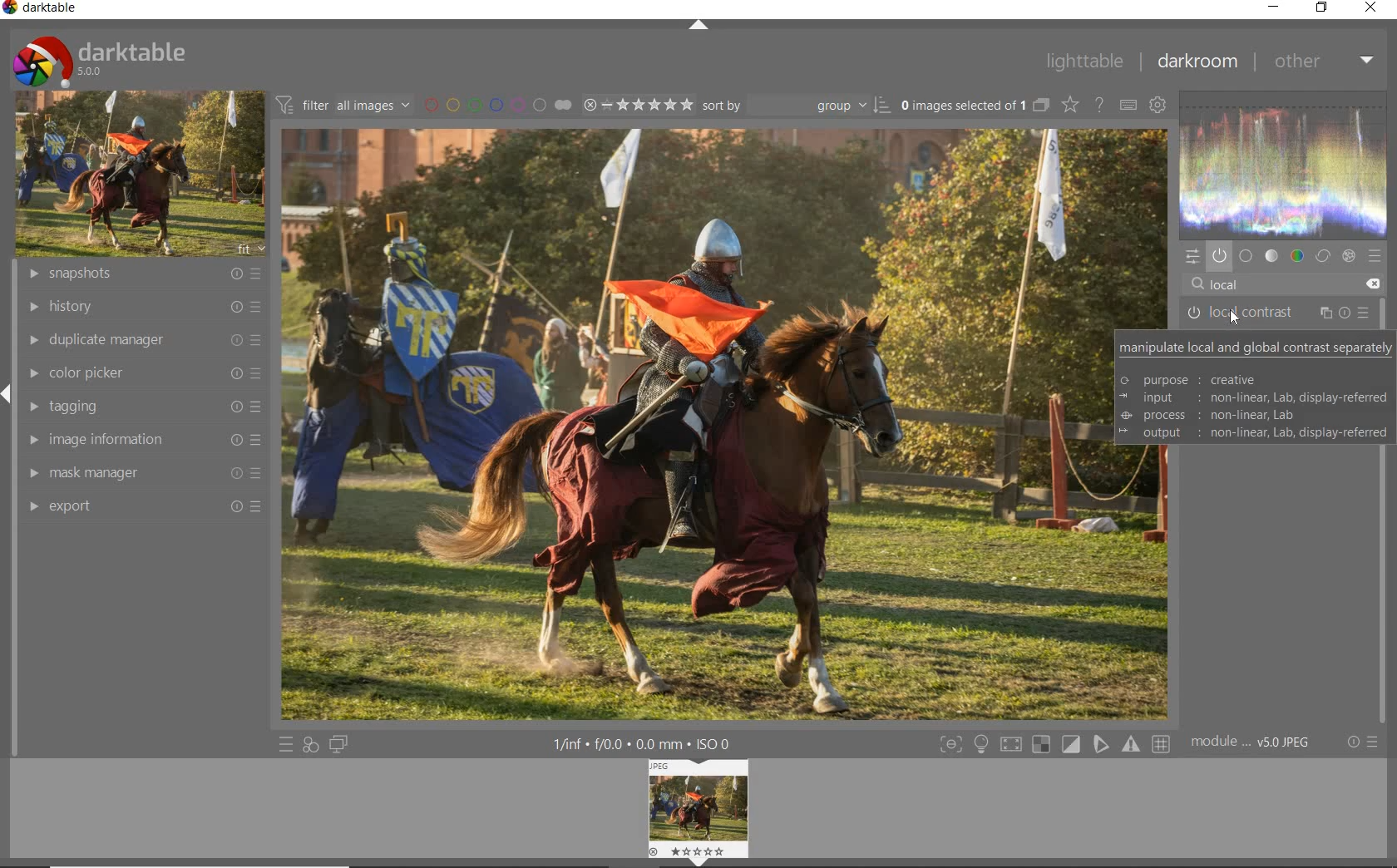 This screenshot has height=868, width=1397. I want to click on effect, so click(1349, 255).